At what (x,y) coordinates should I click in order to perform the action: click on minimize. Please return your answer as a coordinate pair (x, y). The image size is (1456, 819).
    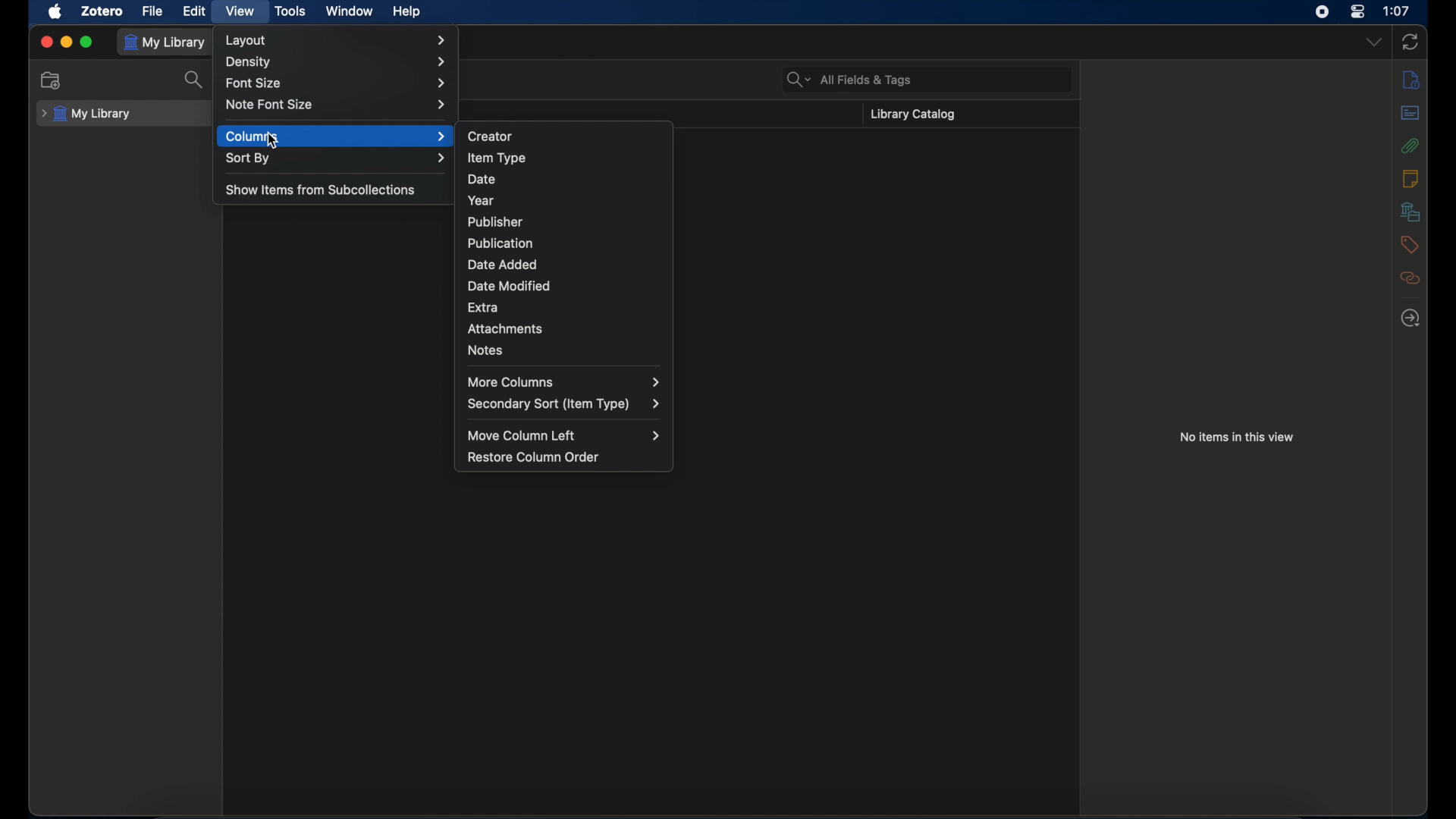
    Looking at the image, I should click on (65, 42).